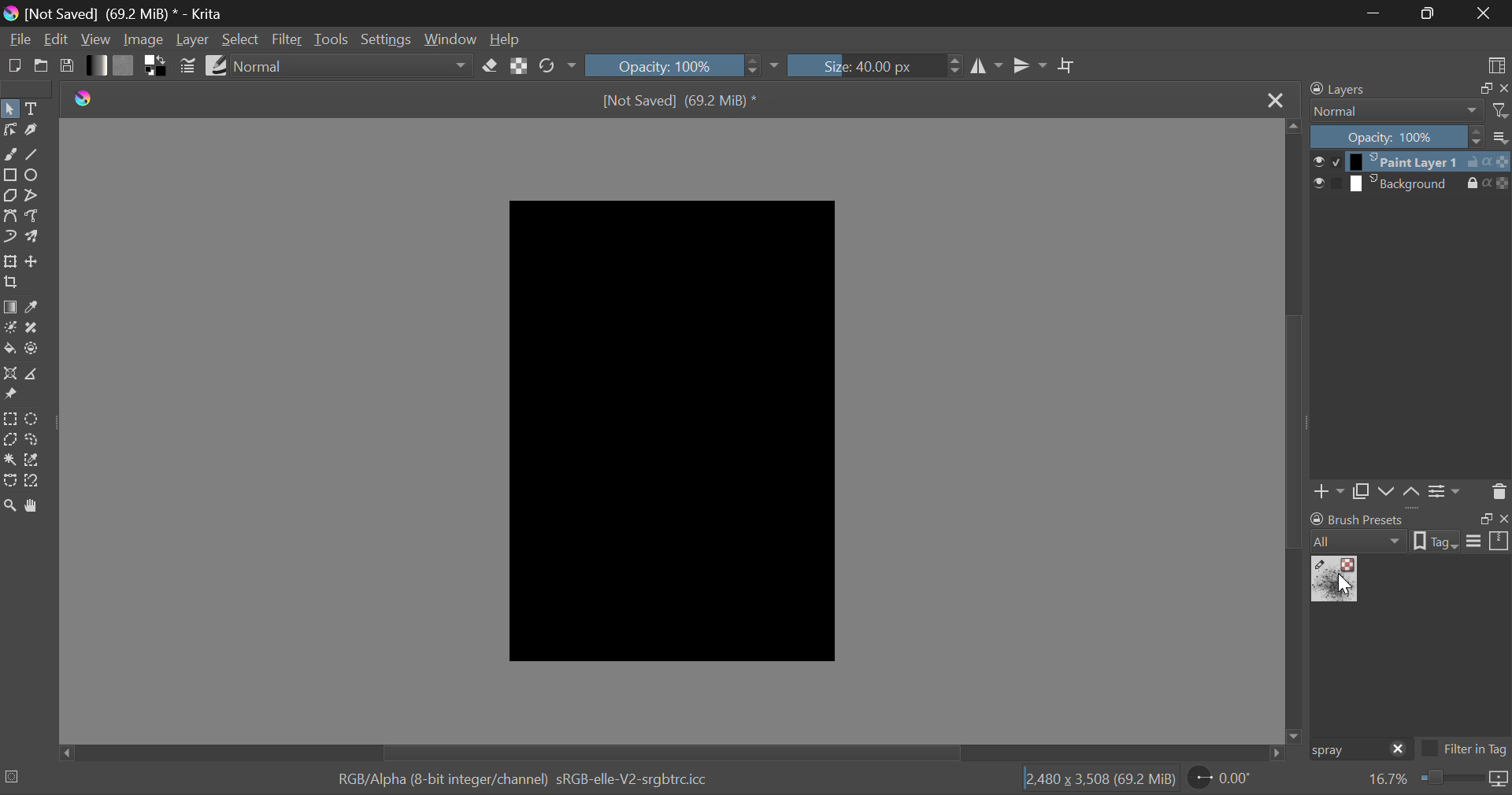 The width and height of the screenshot is (1512, 795). Describe the element at coordinates (194, 39) in the screenshot. I see `Layer` at that location.